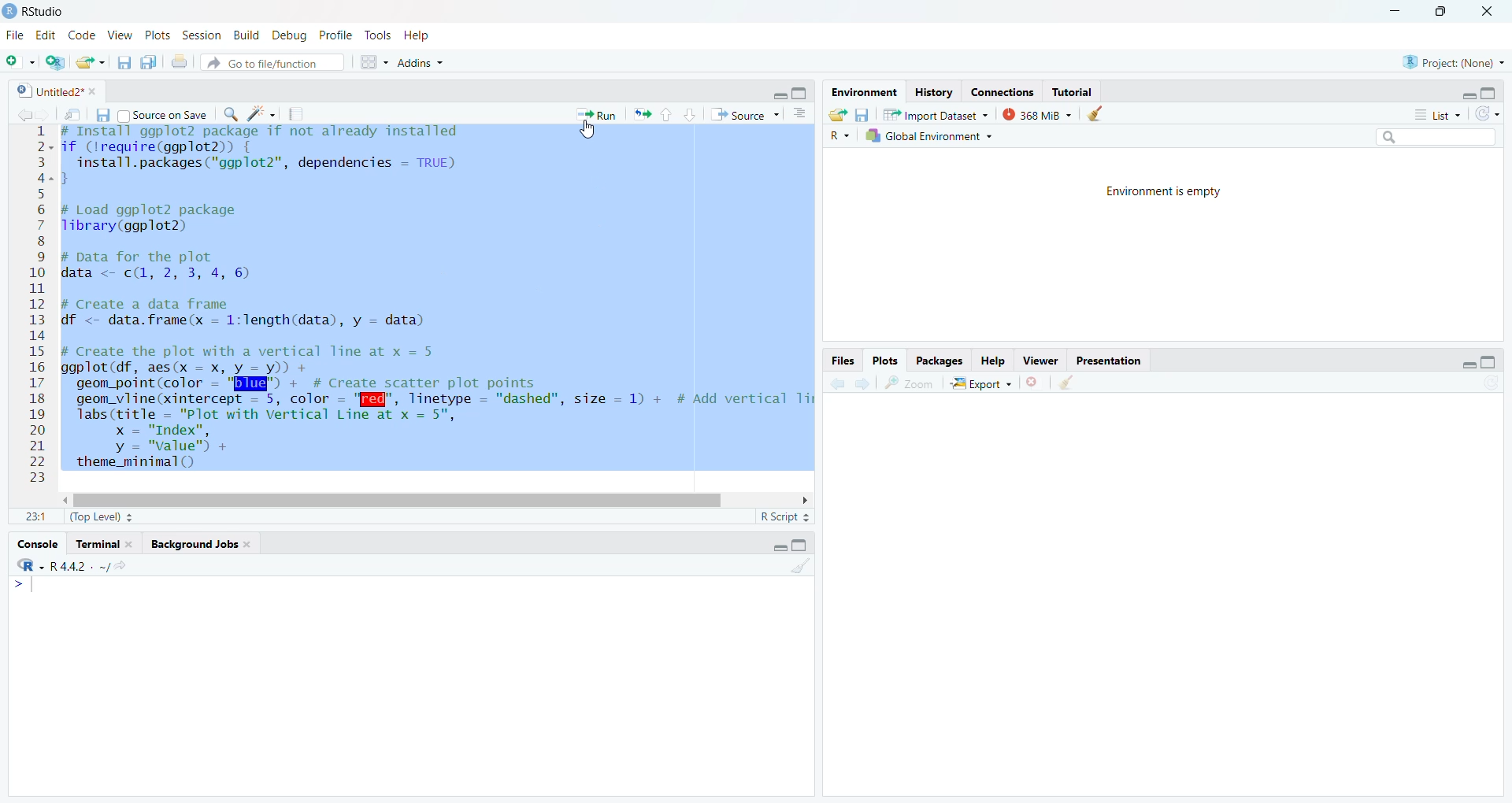 The height and width of the screenshot is (803, 1512). Describe the element at coordinates (18, 114) in the screenshot. I see `back` at that location.